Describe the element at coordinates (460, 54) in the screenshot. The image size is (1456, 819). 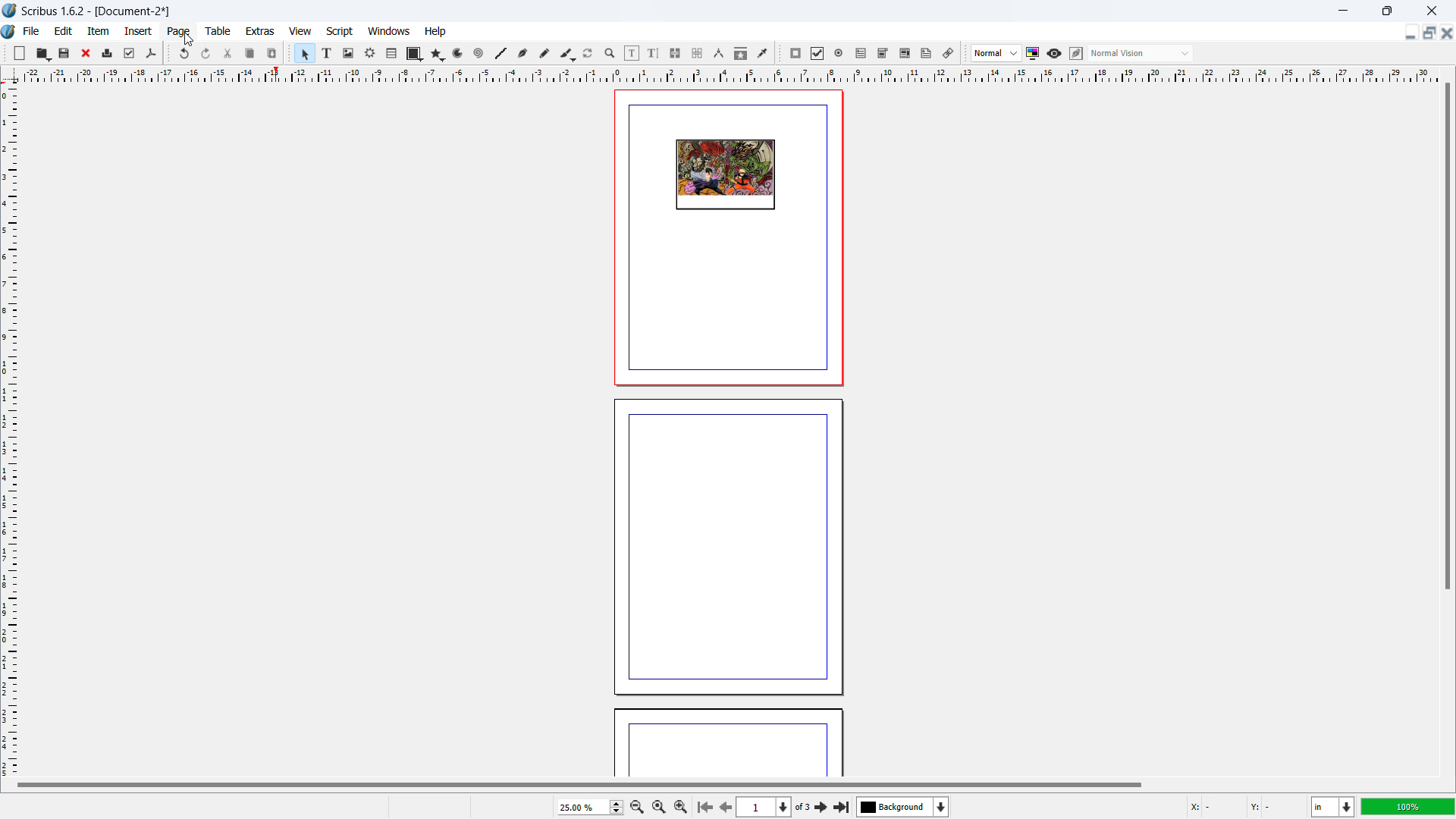
I see `curves` at that location.